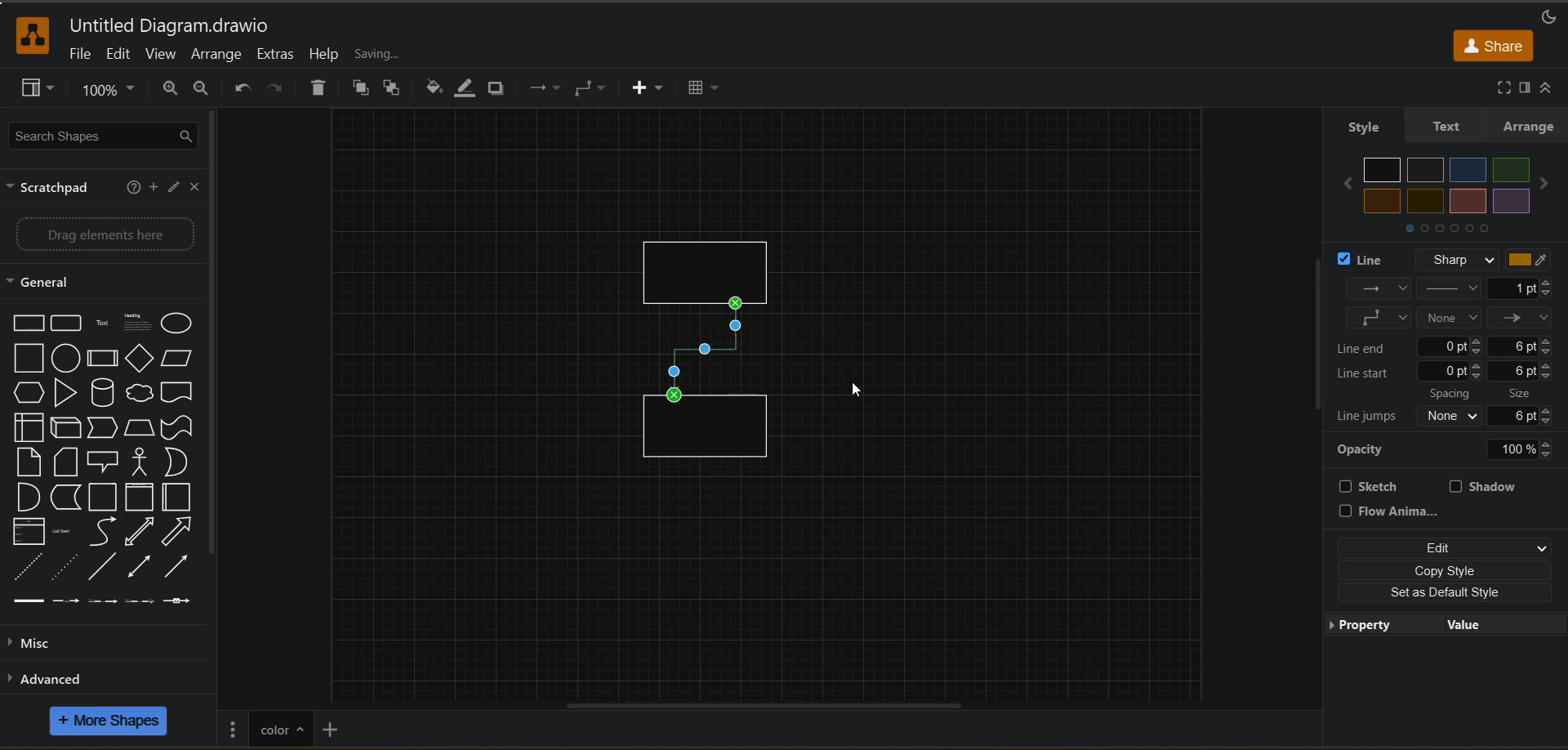 Image resolution: width=1568 pixels, height=750 pixels. What do you see at coordinates (1394, 511) in the screenshot?
I see `flow animation` at bounding box center [1394, 511].